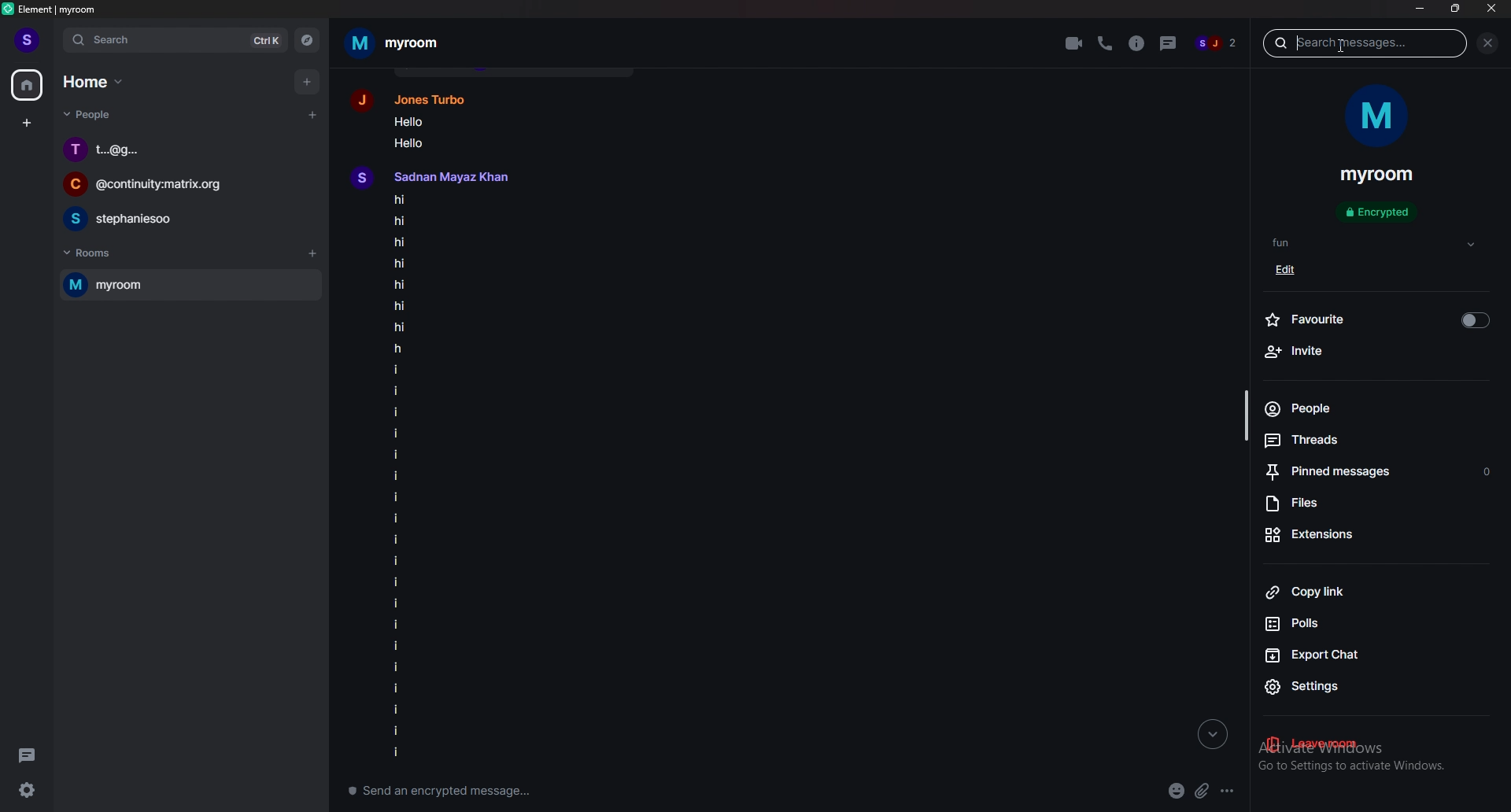 The width and height of the screenshot is (1511, 812). I want to click on extensions, so click(1356, 533).